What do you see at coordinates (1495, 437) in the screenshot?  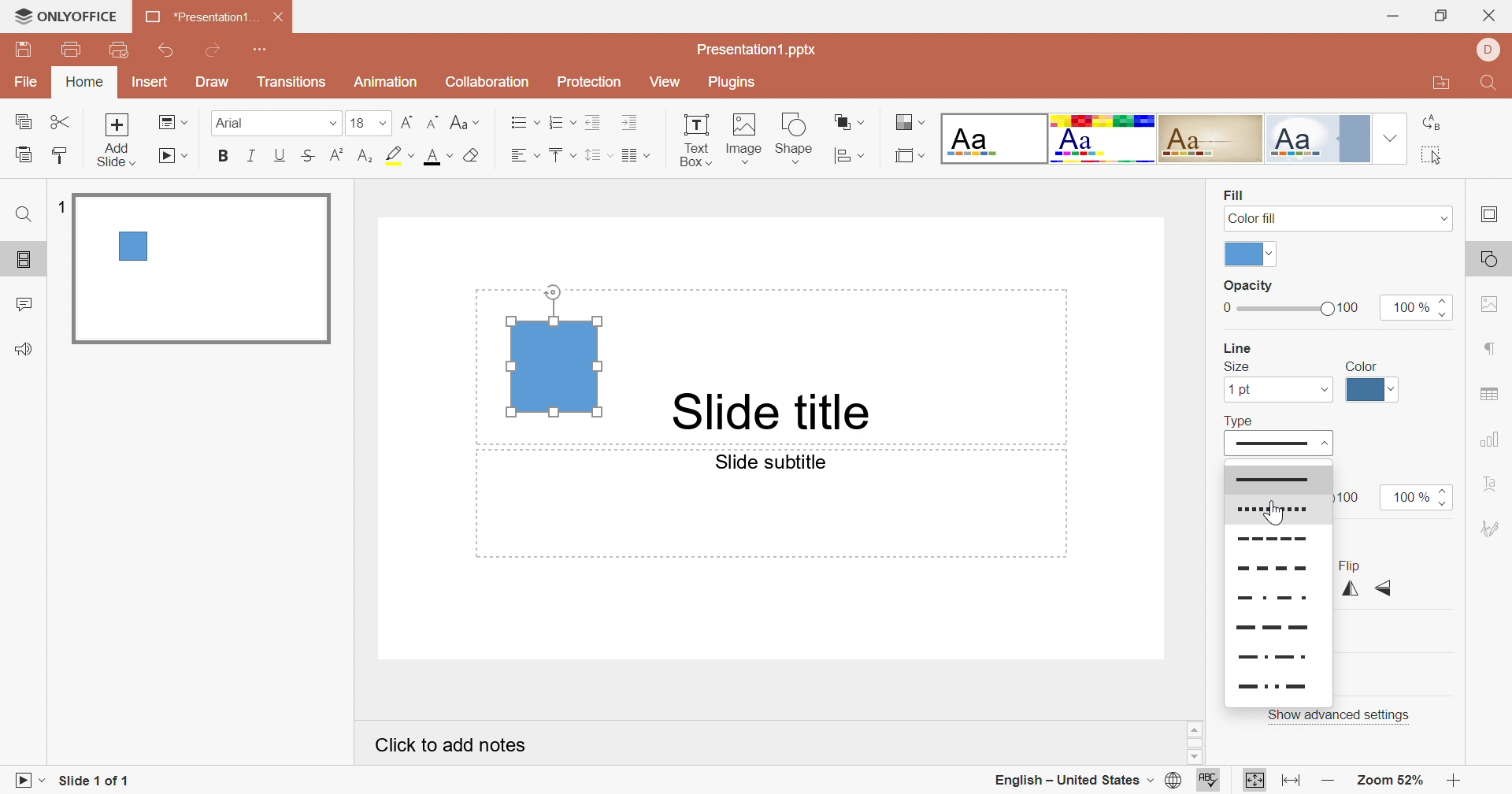 I see `Chart settings` at bounding box center [1495, 437].